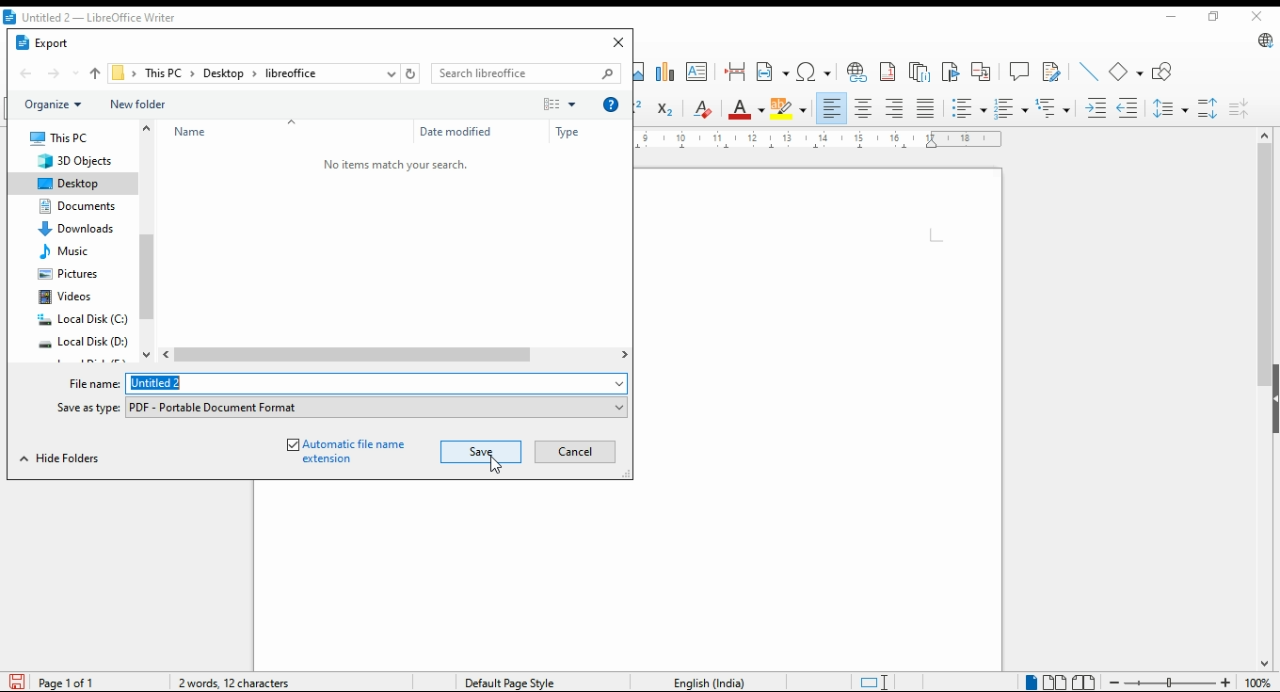 The image size is (1280, 692). Describe the element at coordinates (146, 243) in the screenshot. I see `scroll bar` at that location.